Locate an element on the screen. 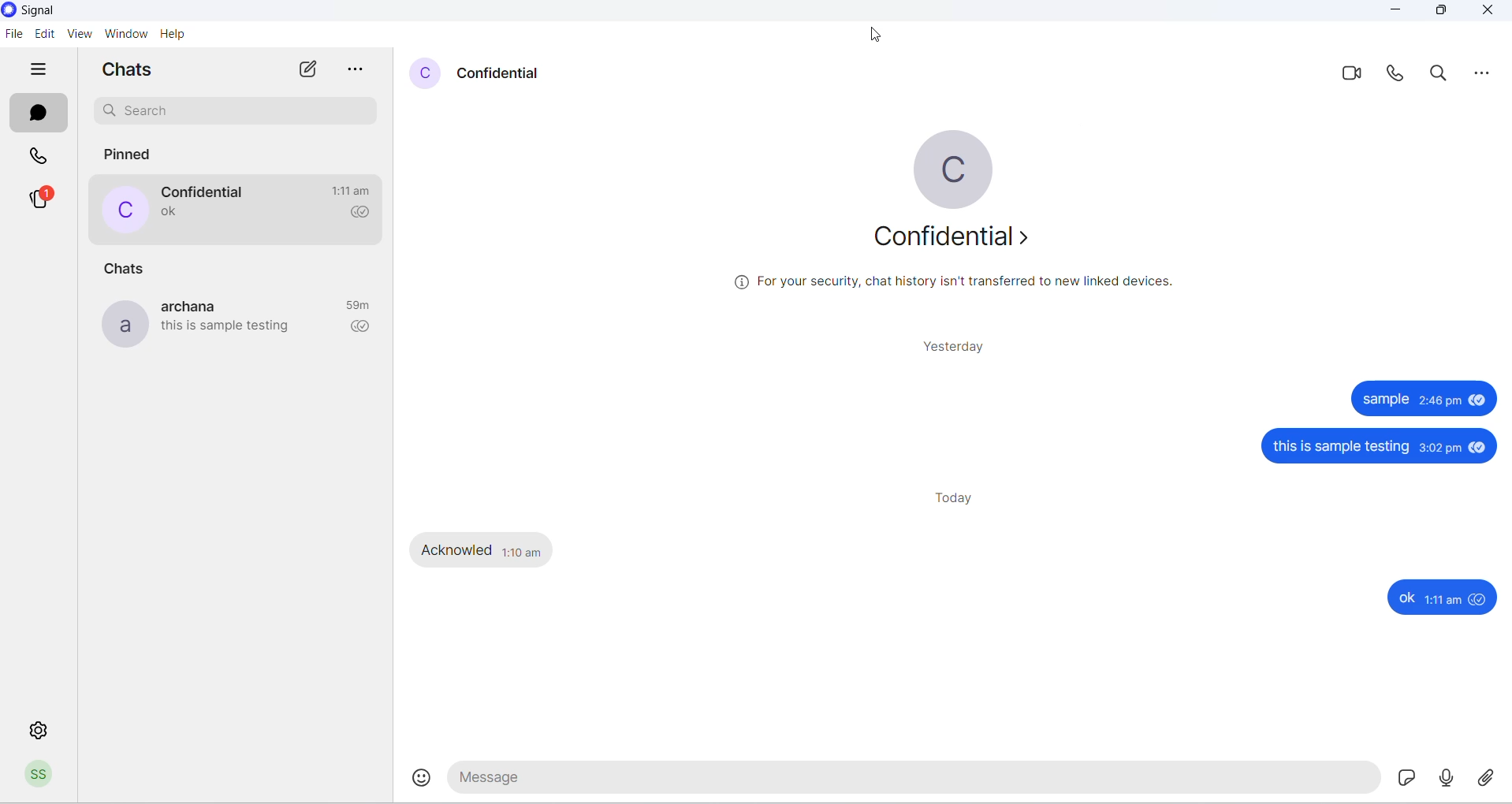 This screenshot has height=804, width=1512. settings is located at coordinates (40, 730).